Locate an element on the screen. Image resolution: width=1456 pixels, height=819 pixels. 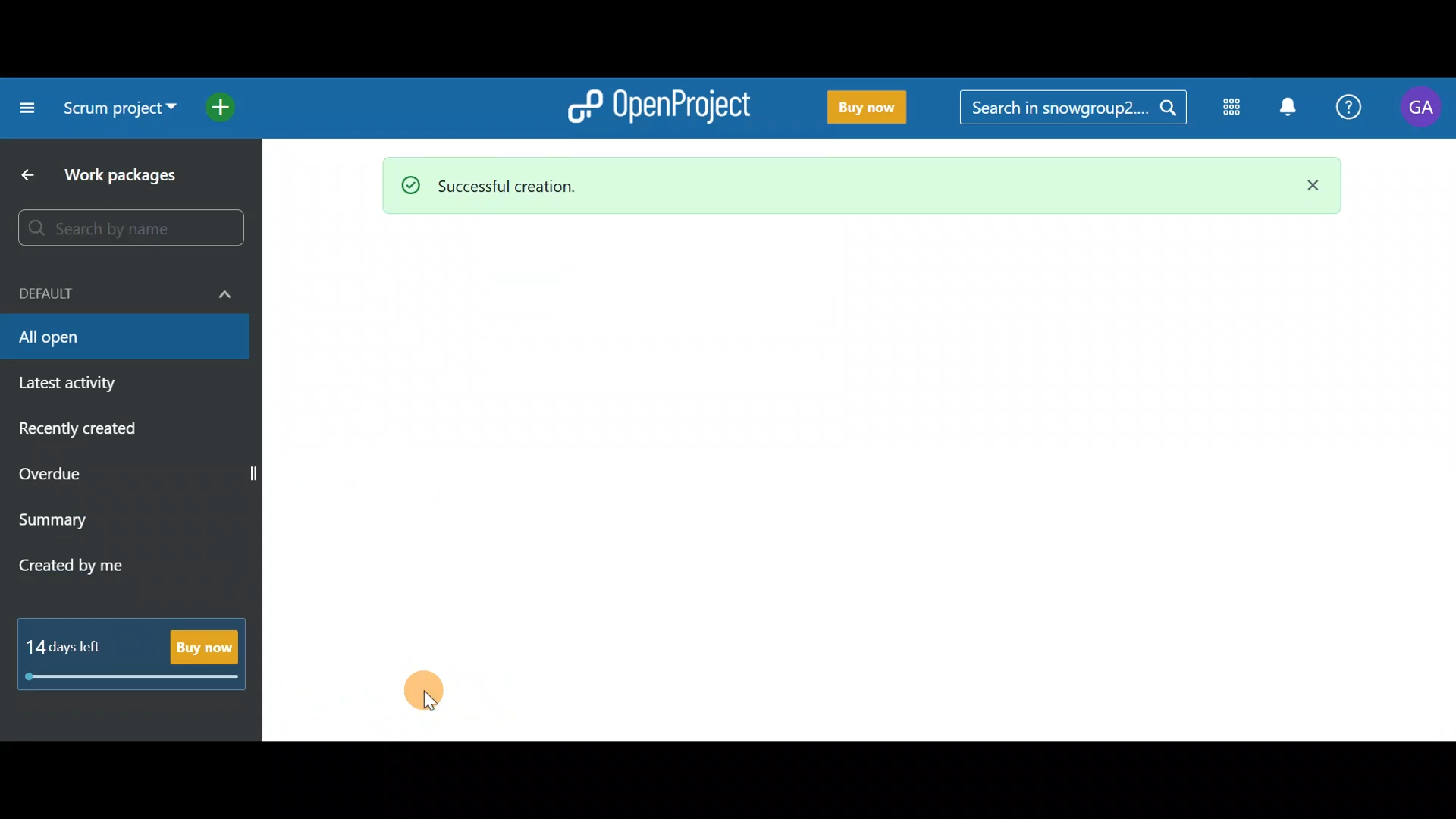
Search by name is located at coordinates (136, 229).